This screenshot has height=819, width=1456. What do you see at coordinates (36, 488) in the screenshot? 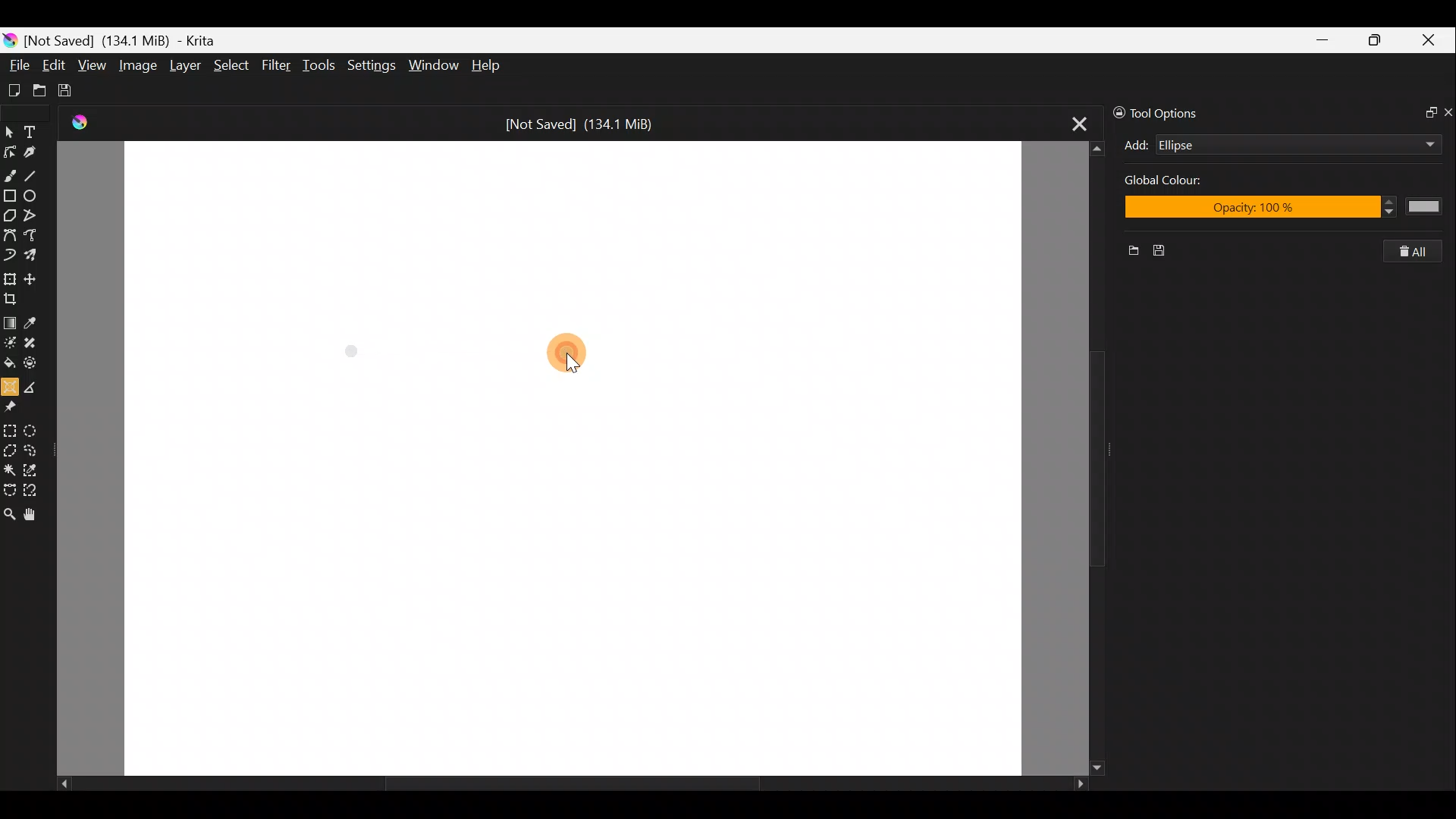
I see `Magnetic curve selection tool` at bounding box center [36, 488].